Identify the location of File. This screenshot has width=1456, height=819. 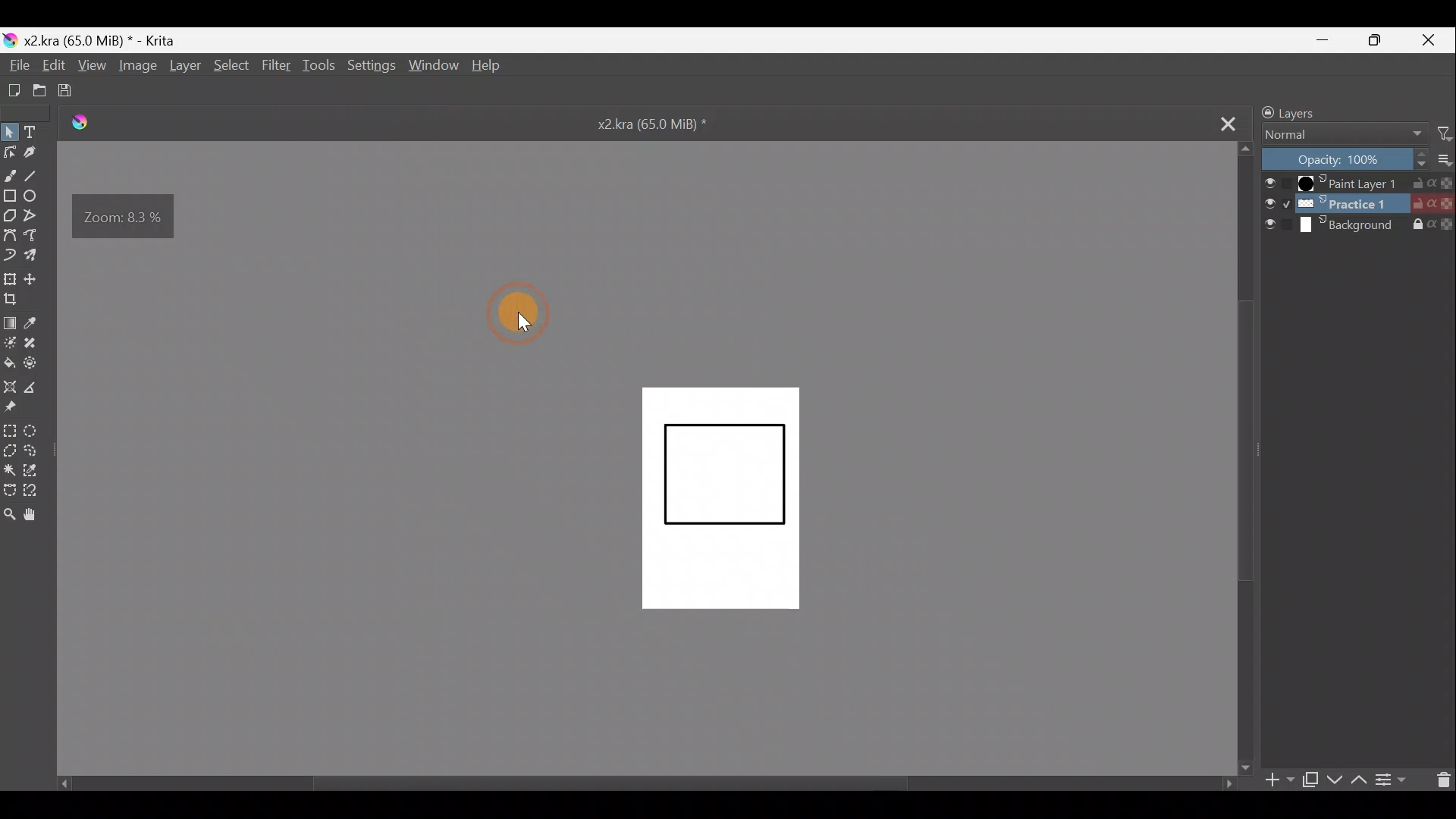
(17, 65).